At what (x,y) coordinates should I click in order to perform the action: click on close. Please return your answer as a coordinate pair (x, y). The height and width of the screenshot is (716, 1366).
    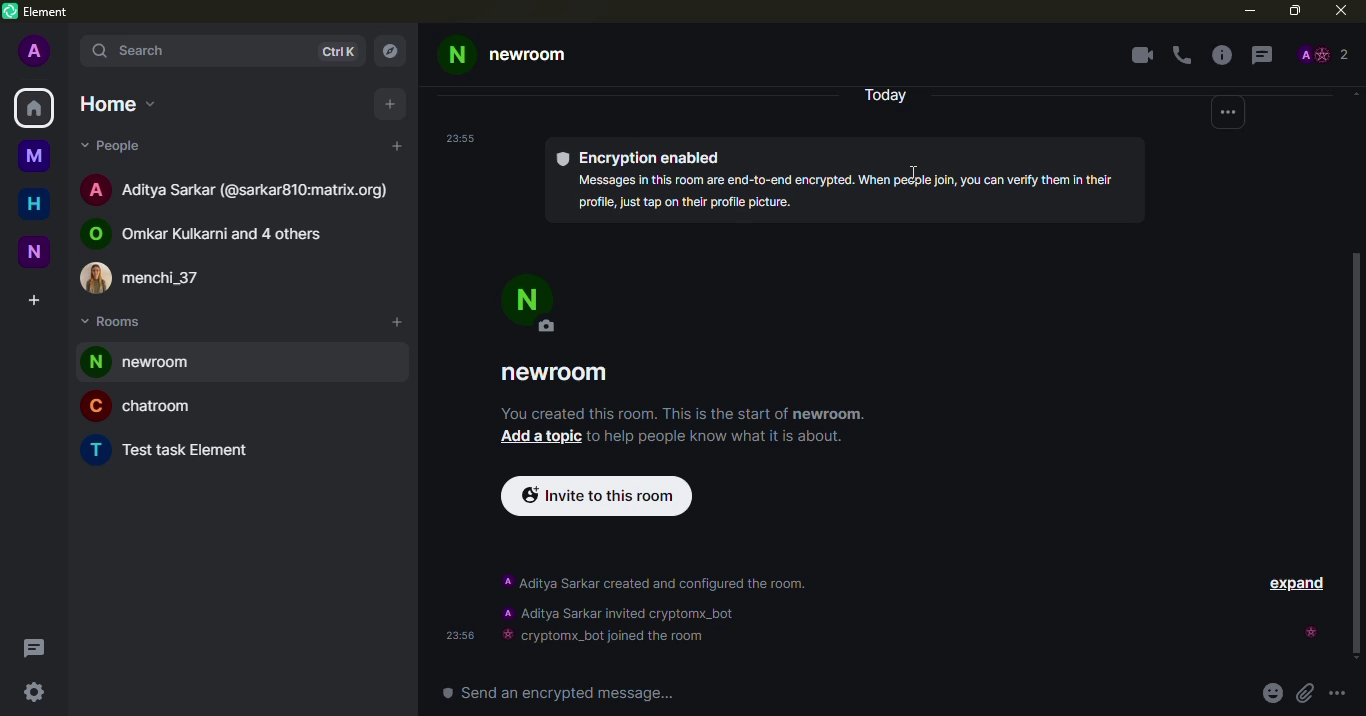
    Looking at the image, I should click on (1340, 13).